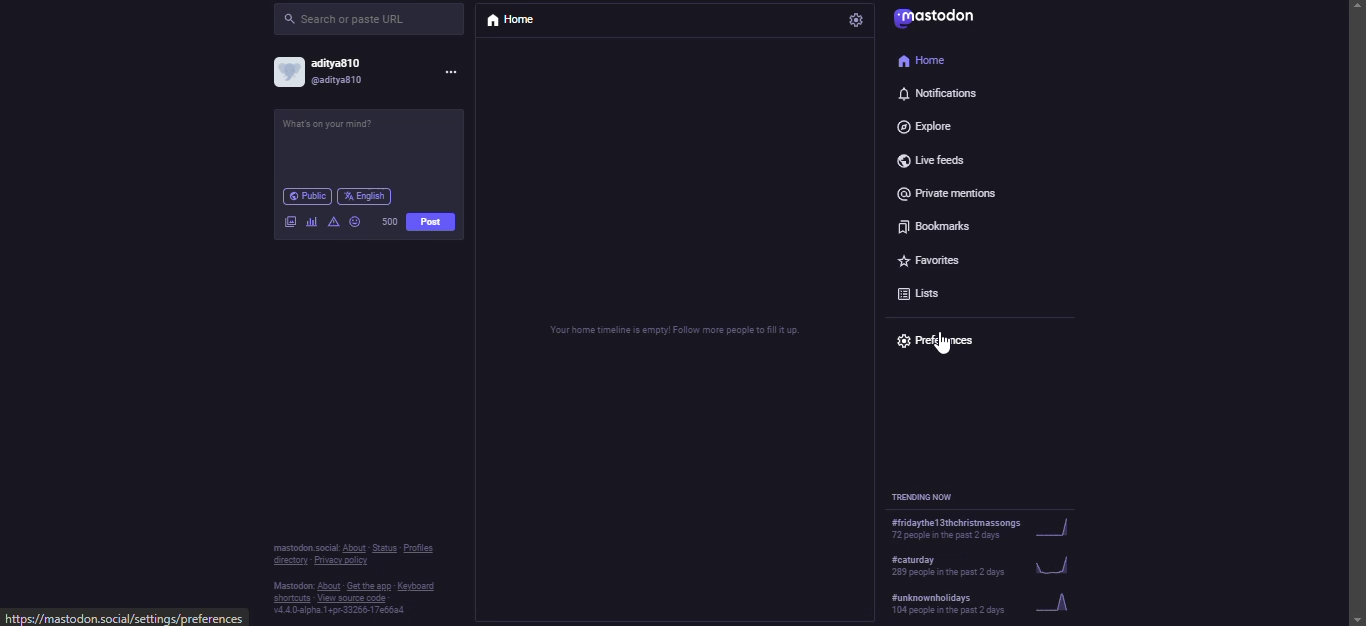  Describe the element at coordinates (924, 254) in the screenshot. I see `favorites` at that location.